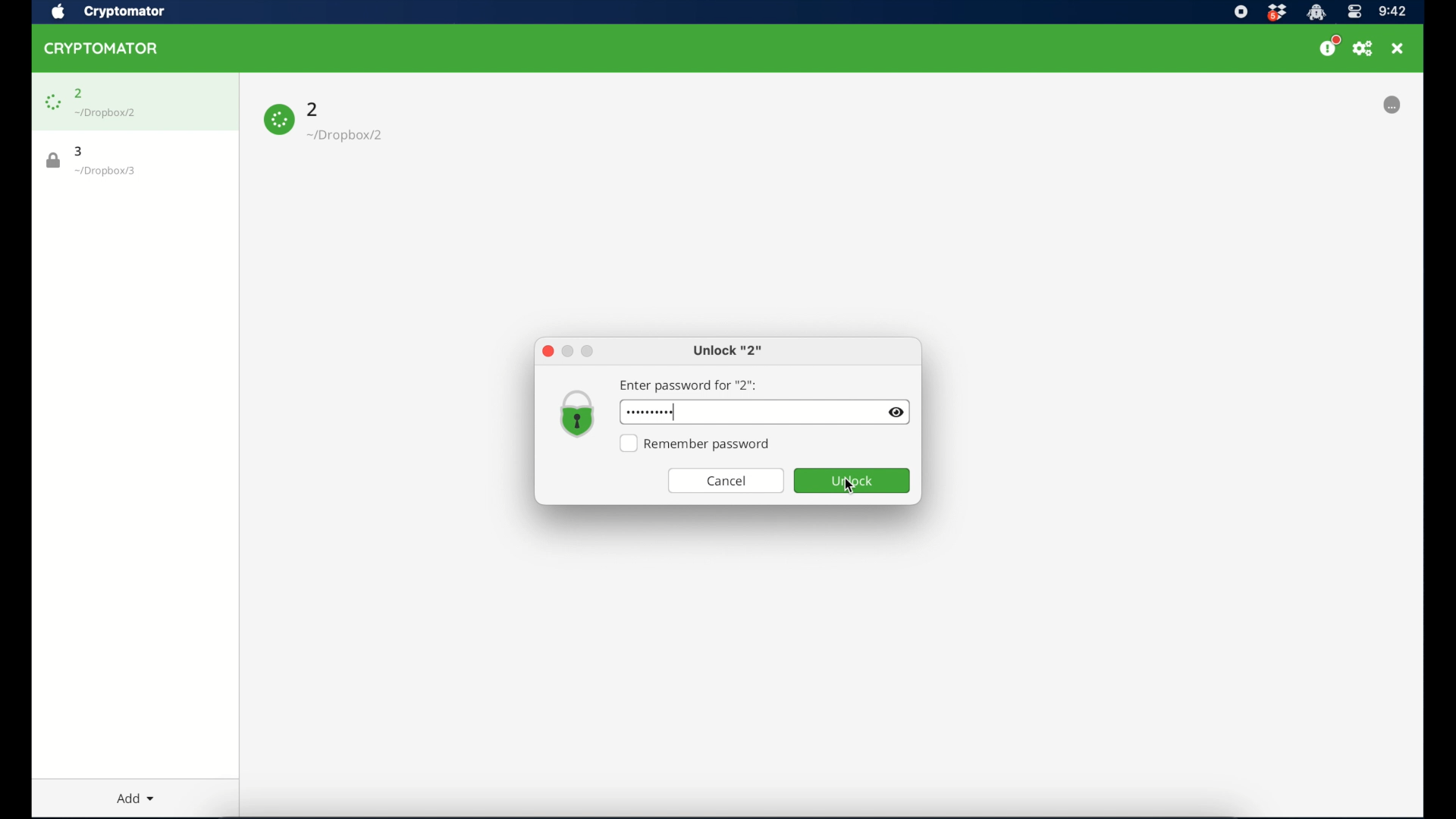 This screenshot has width=1456, height=819. Describe the element at coordinates (80, 151) in the screenshot. I see `3` at that location.